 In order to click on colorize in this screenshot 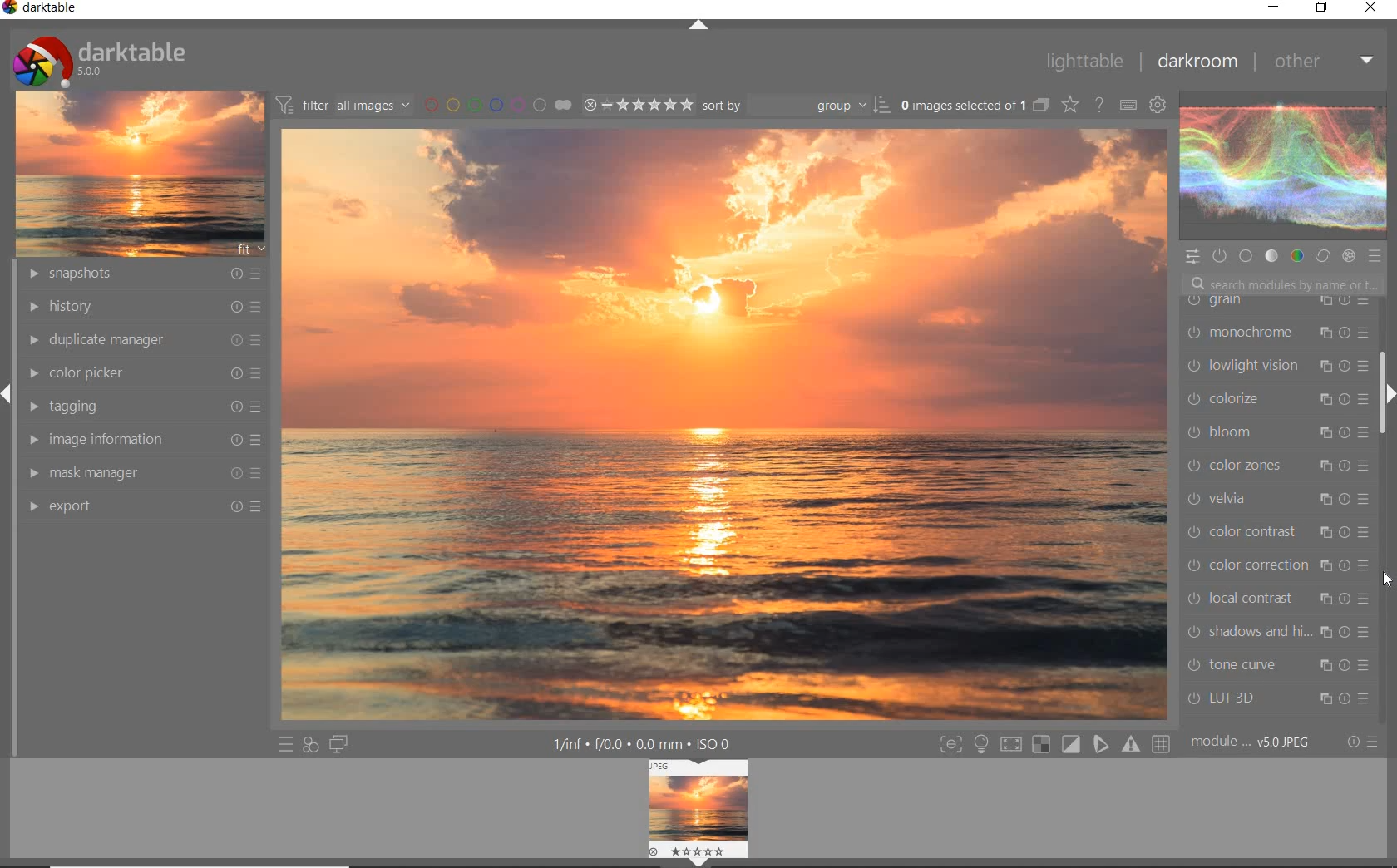, I will do `click(1277, 401)`.